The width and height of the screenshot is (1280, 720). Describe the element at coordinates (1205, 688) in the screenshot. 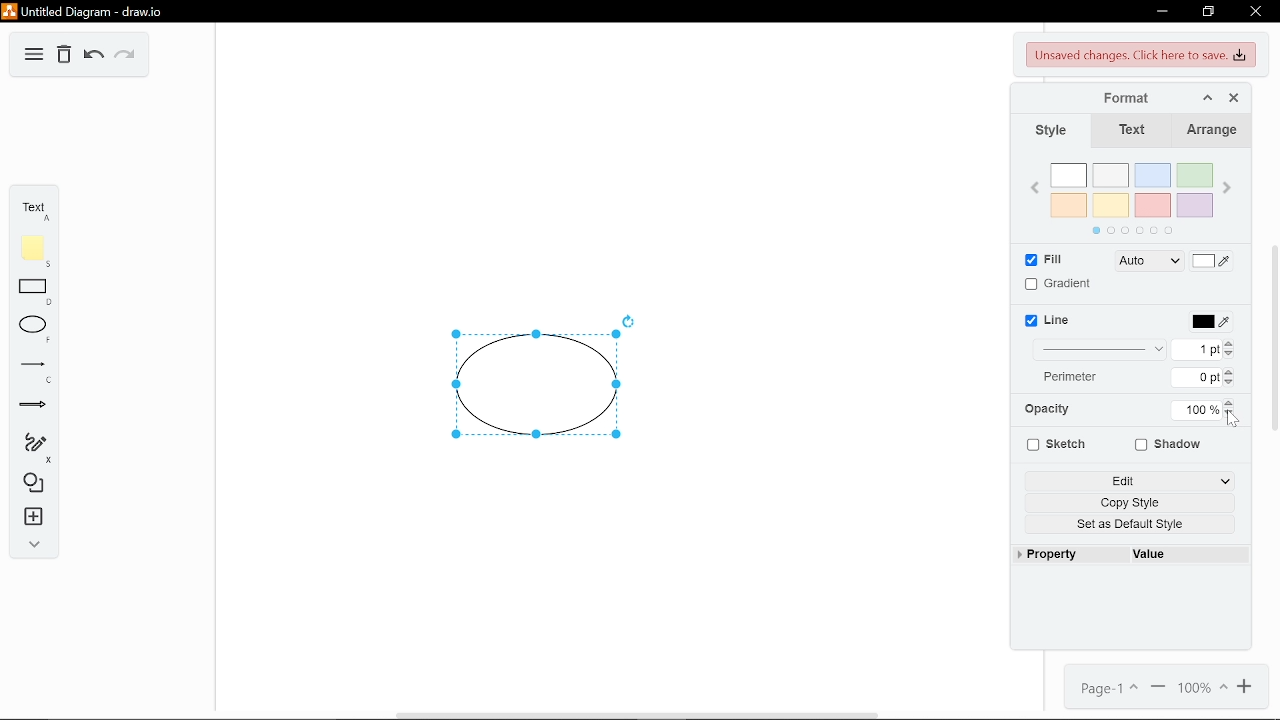

I see `Change zoom` at that location.